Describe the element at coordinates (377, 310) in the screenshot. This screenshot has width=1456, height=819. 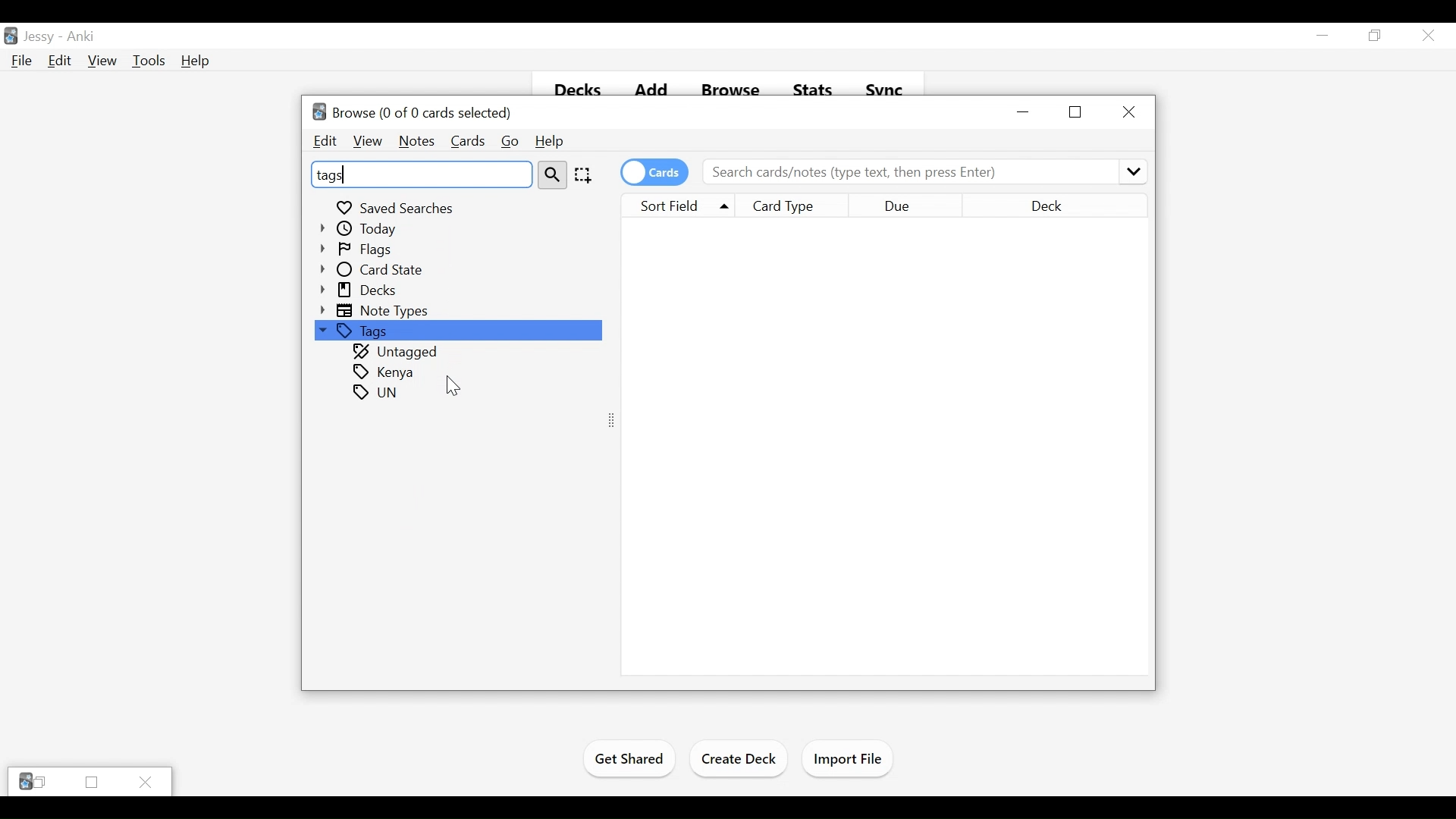
I see `Note Types` at that location.